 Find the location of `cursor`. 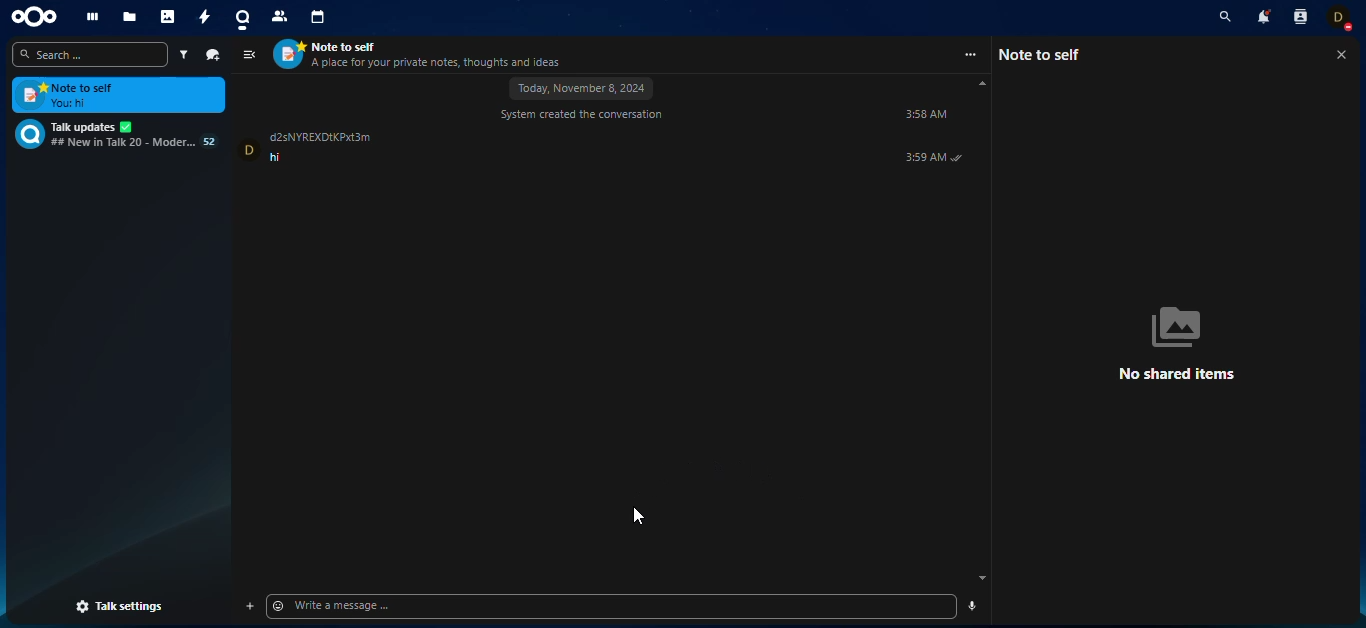

cursor is located at coordinates (632, 514).